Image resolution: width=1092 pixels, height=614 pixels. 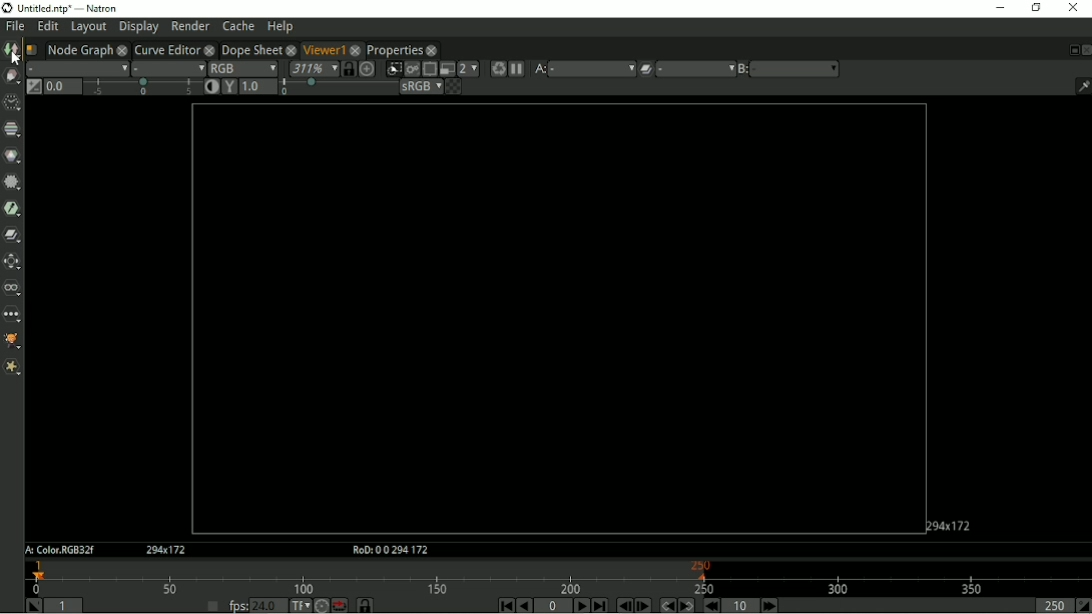 I want to click on fps, so click(x=237, y=606).